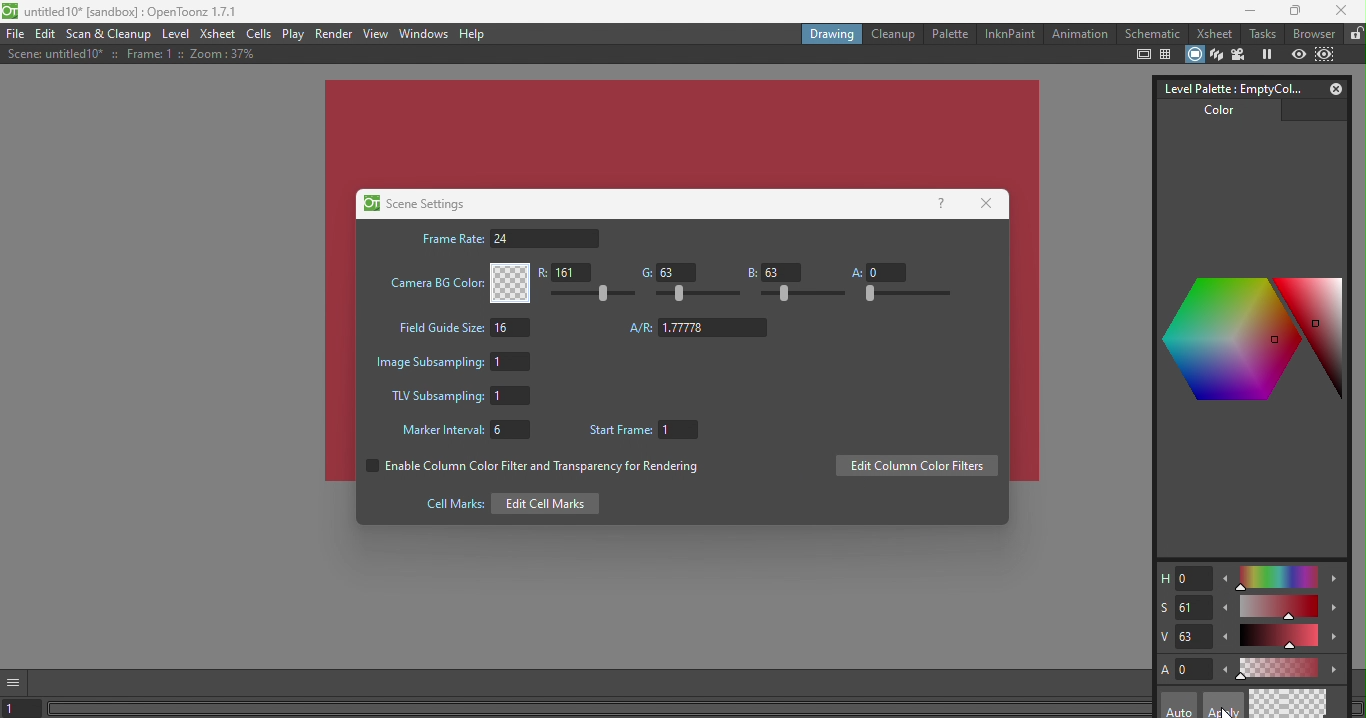 The width and height of the screenshot is (1366, 718). What do you see at coordinates (1212, 34) in the screenshot?
I see `Xsheet` at bounding box center [1212, 34].